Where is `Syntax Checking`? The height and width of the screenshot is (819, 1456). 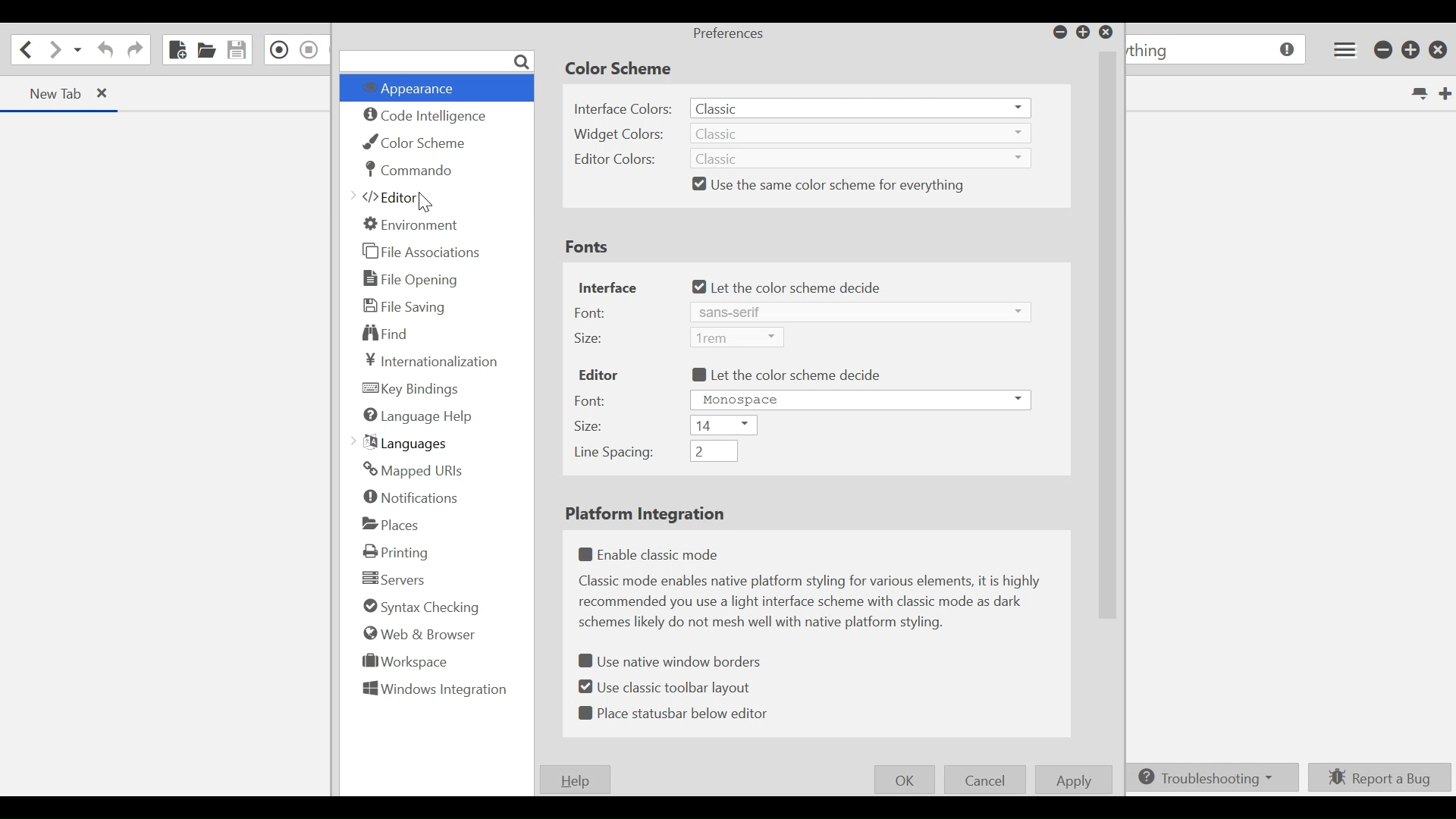 Syntax Checking is located at coordinates (420, 607).